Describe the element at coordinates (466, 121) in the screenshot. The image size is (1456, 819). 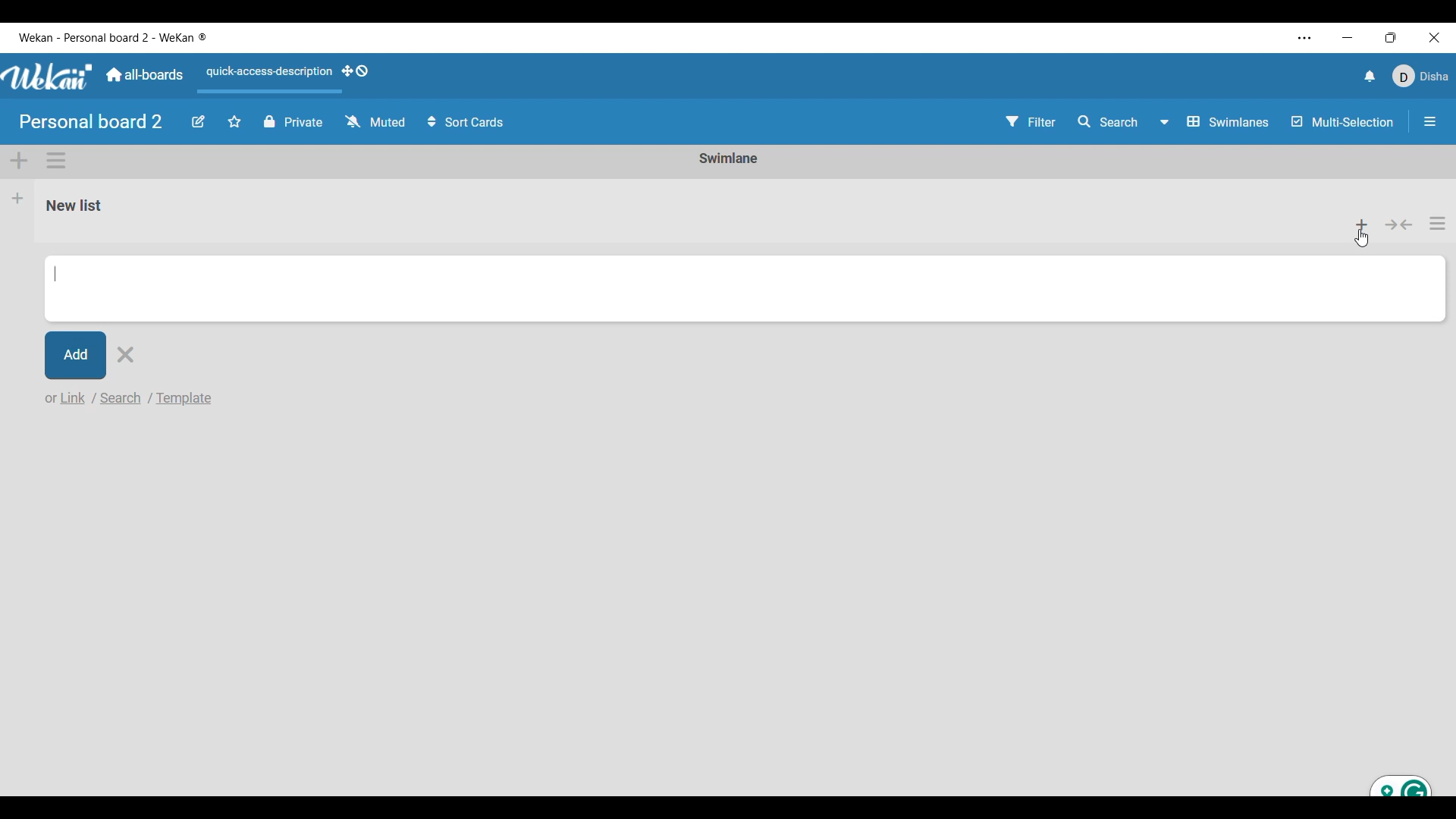
I see `Sort card options` at that location.